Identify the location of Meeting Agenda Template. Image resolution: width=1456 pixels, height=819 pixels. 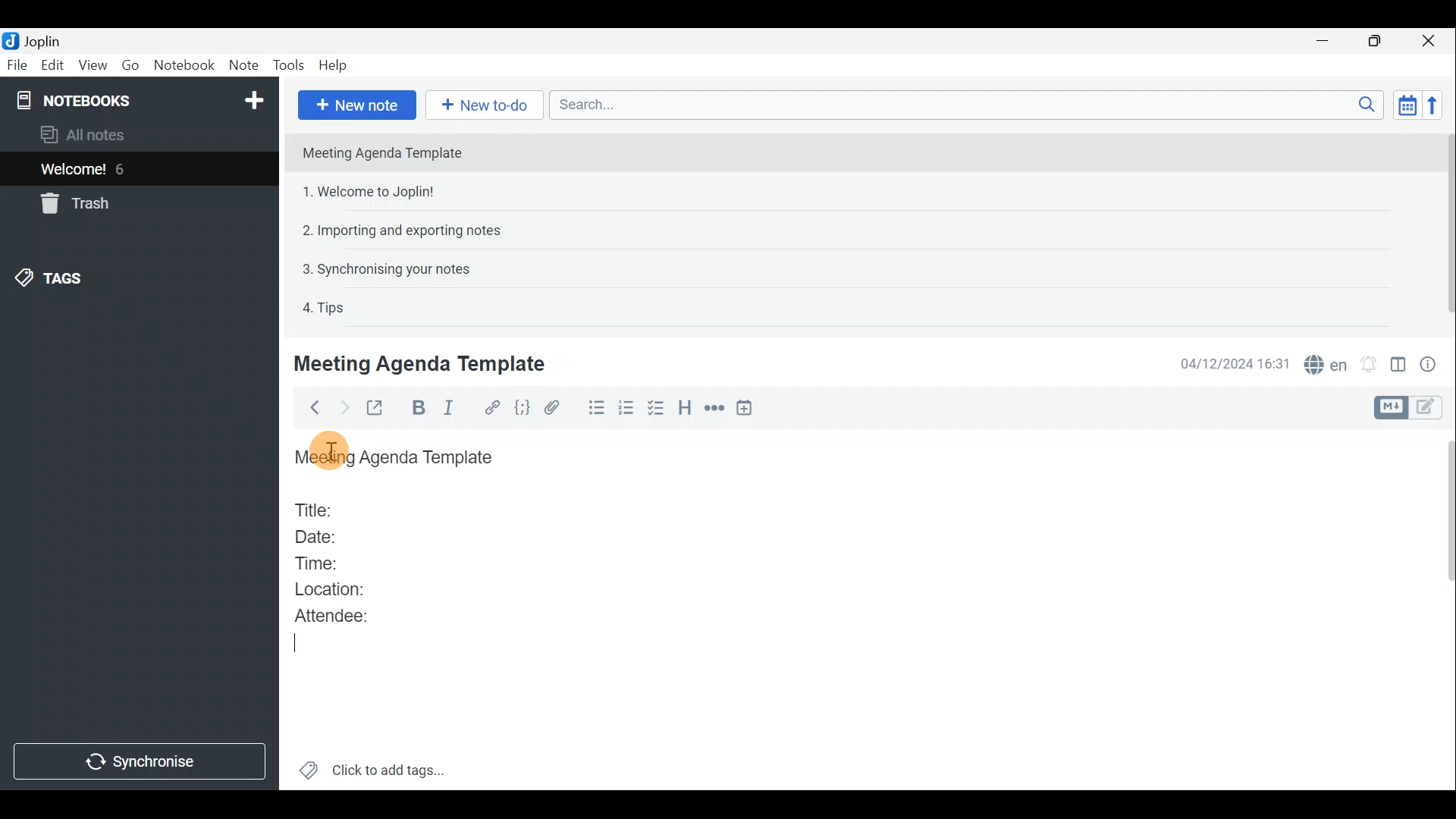
(398, 458).